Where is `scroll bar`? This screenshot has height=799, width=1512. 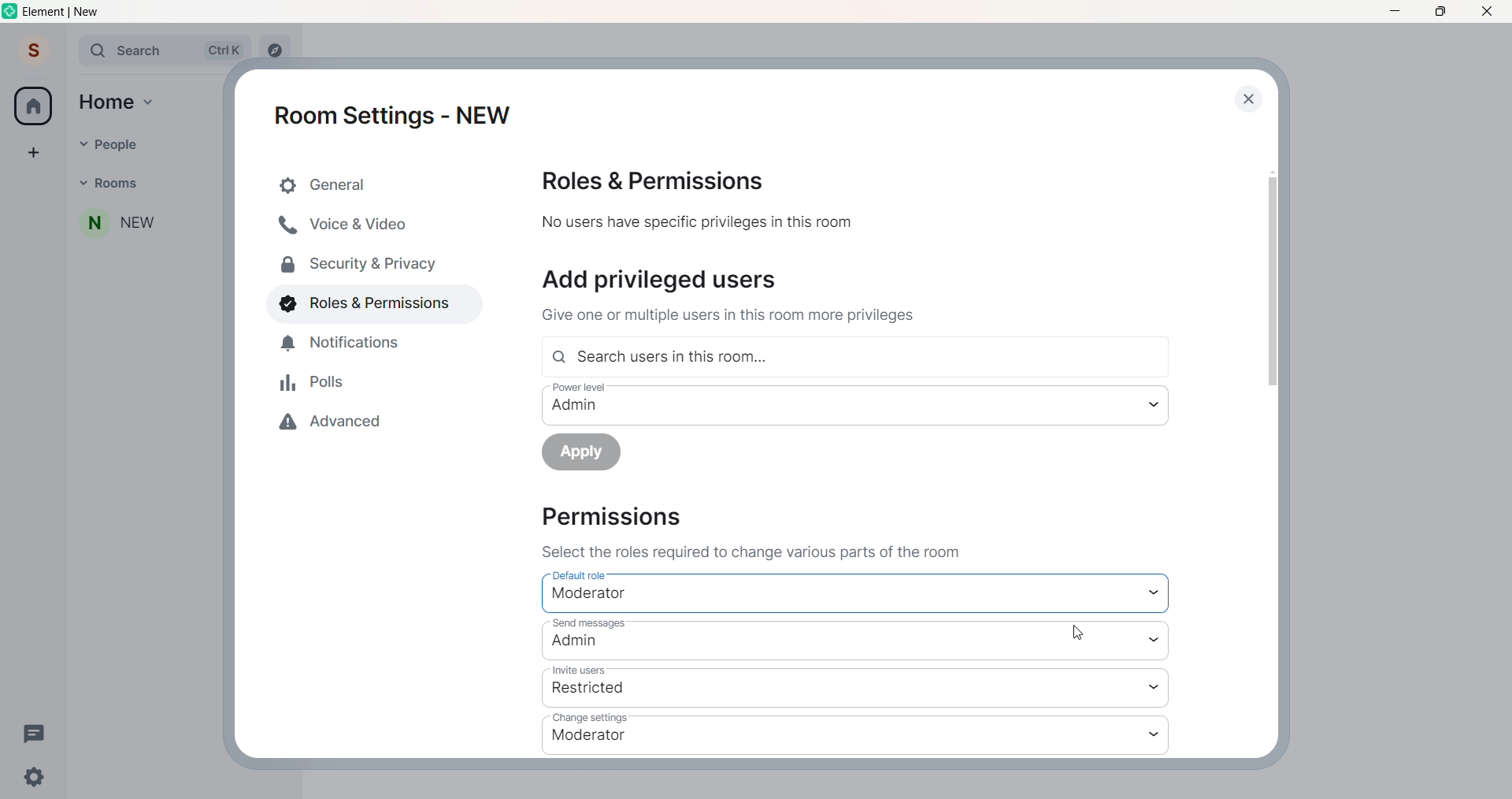 scroll bar is located at coordinates (1275, 271).